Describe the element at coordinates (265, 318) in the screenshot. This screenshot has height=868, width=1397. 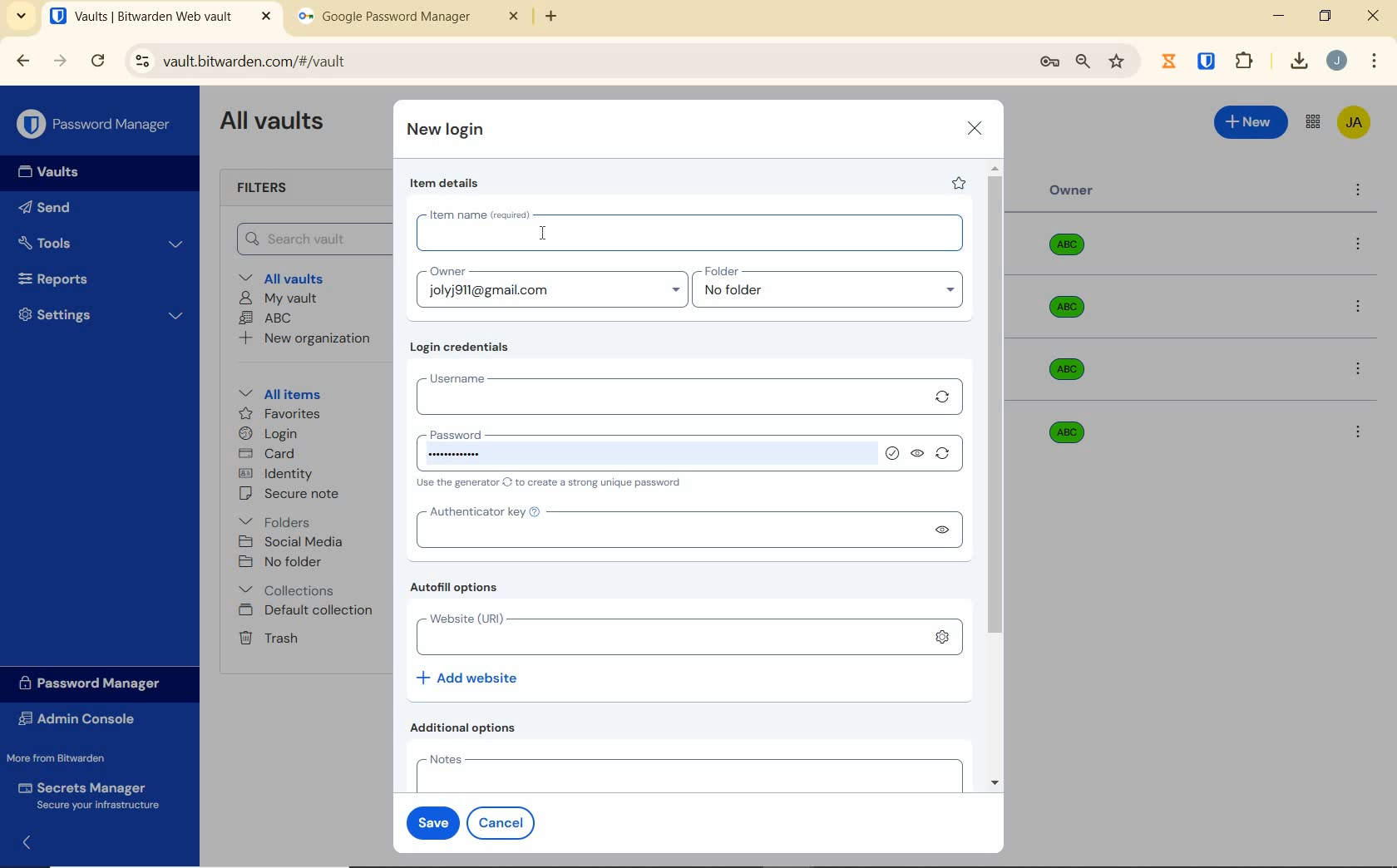
I see `ABC` at that location.